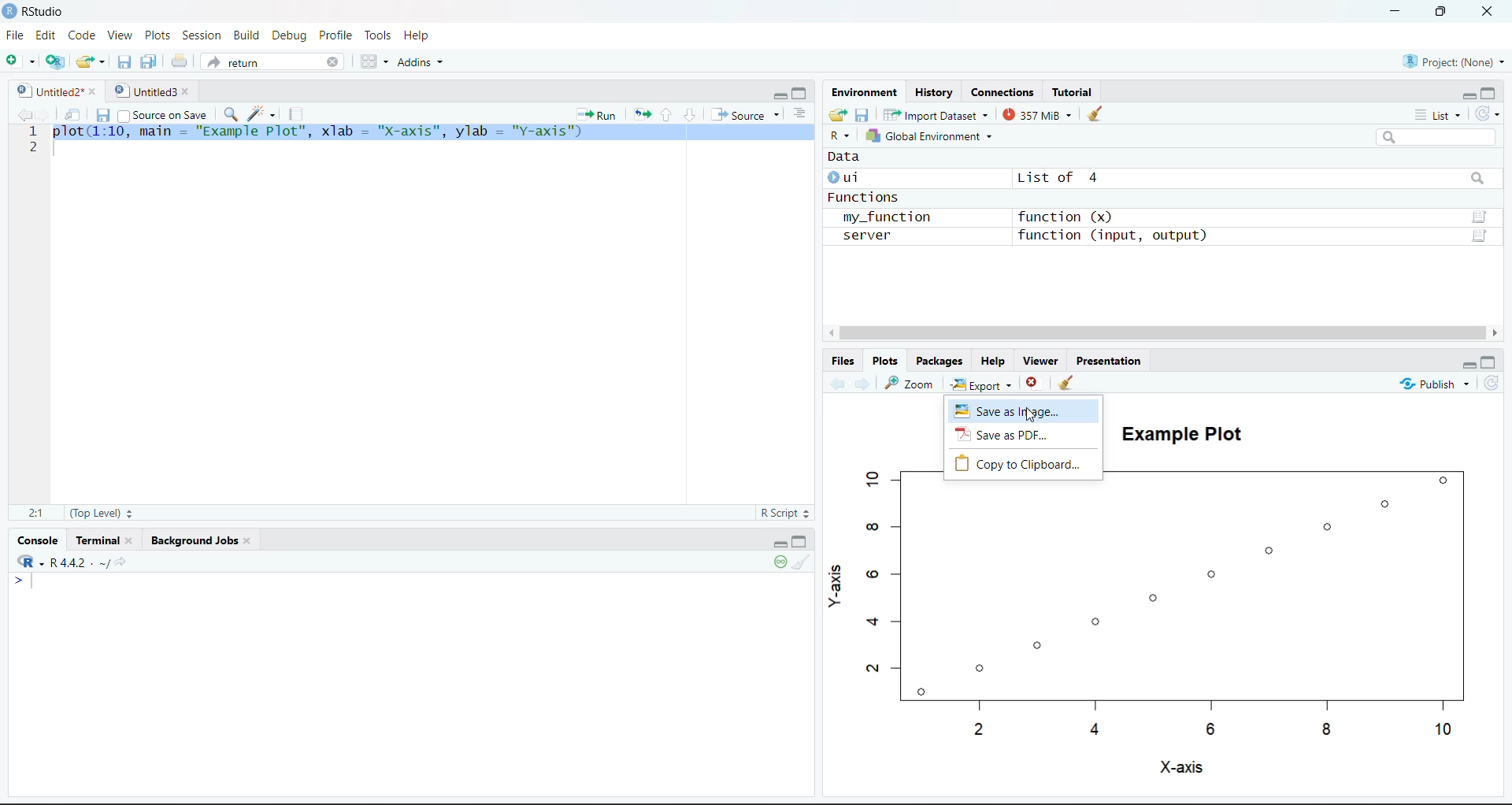 Image resolution: width=1512 pixels, height=805 pixels. I want to click on Viewer, so click(1040, 361).